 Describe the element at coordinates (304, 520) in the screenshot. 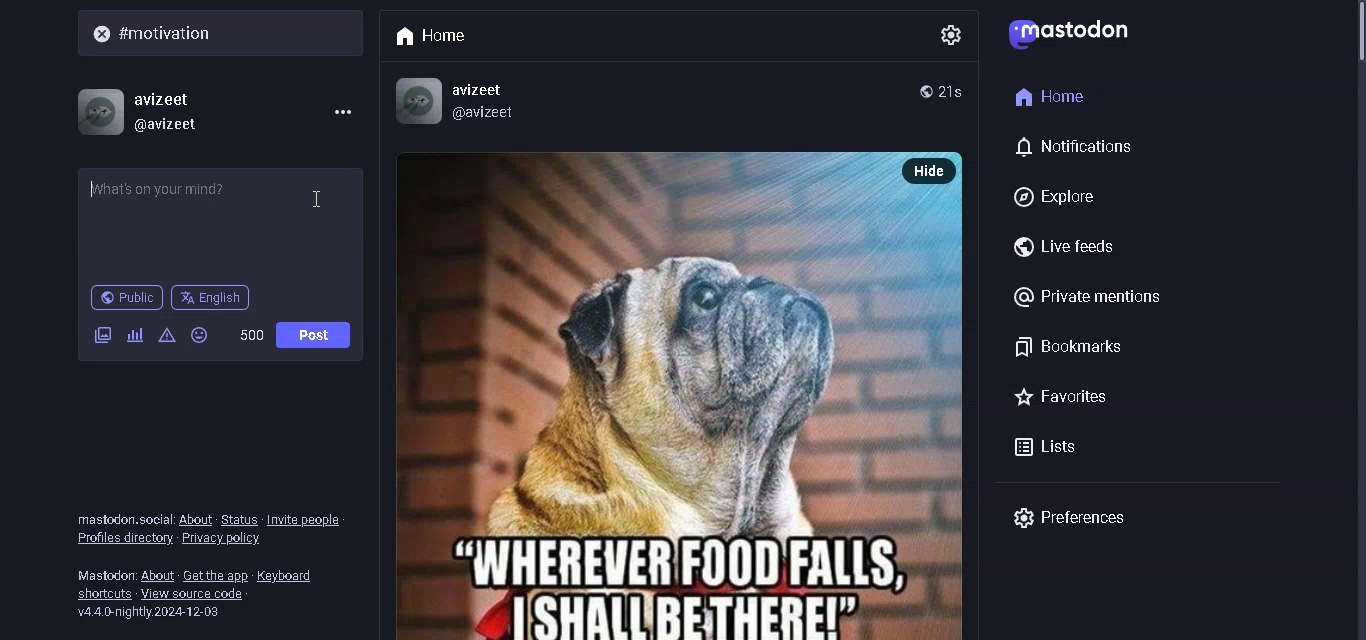

I see `invite people` at that location.